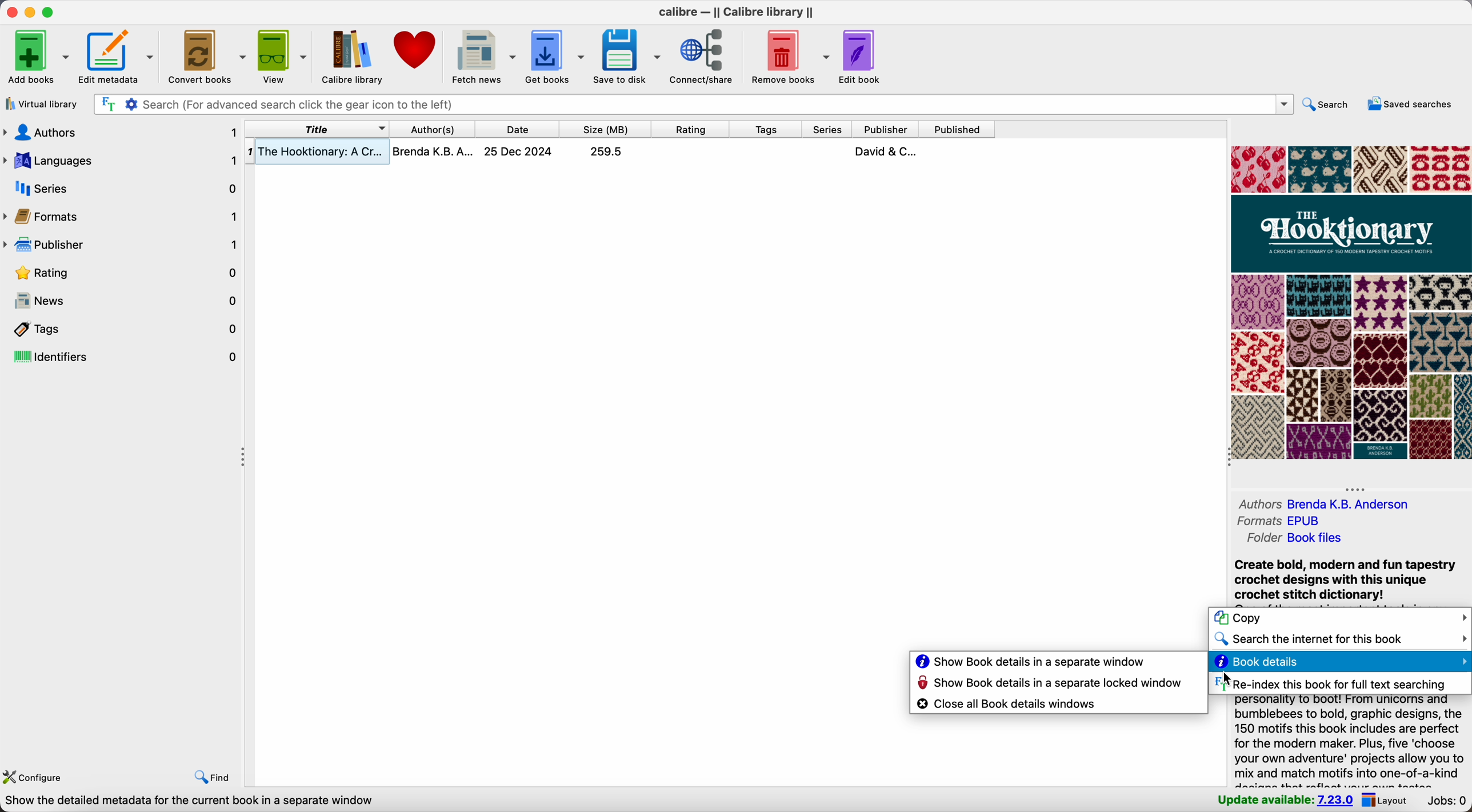 The width and height of the screenshot is (1472, 812). I want to click on donate, so click(417, 49).